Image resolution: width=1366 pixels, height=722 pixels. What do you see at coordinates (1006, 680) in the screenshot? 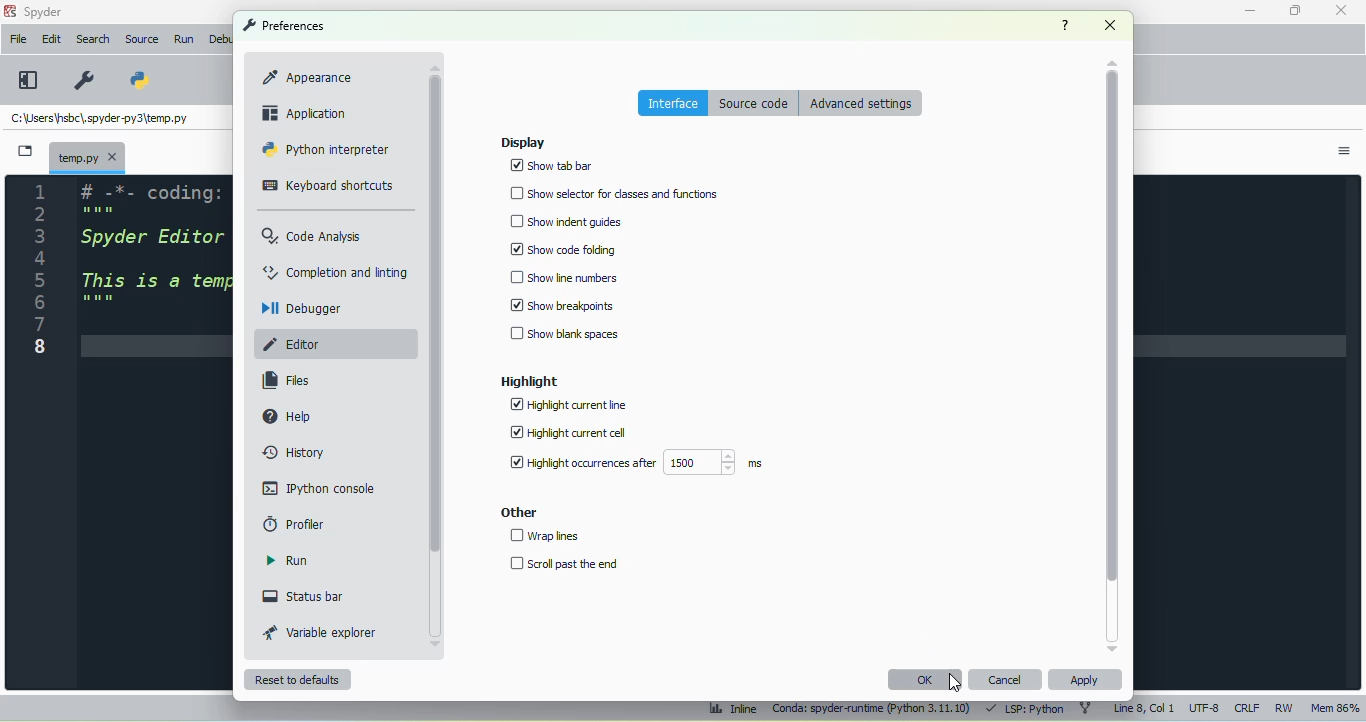
I see `cancel` at bounding box center [1006, 680].